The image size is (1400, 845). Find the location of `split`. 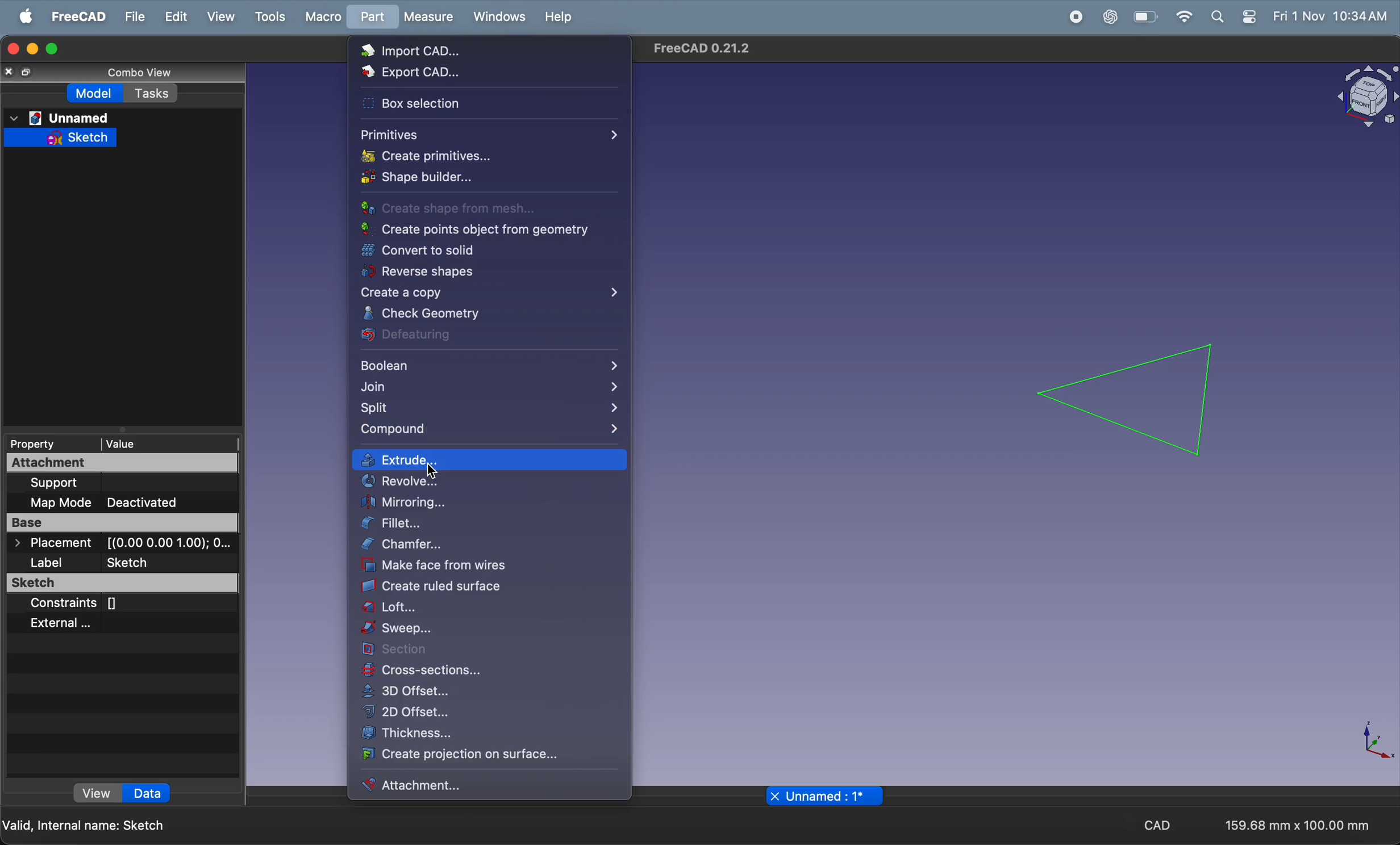

split is located at coordinates (488, 410).